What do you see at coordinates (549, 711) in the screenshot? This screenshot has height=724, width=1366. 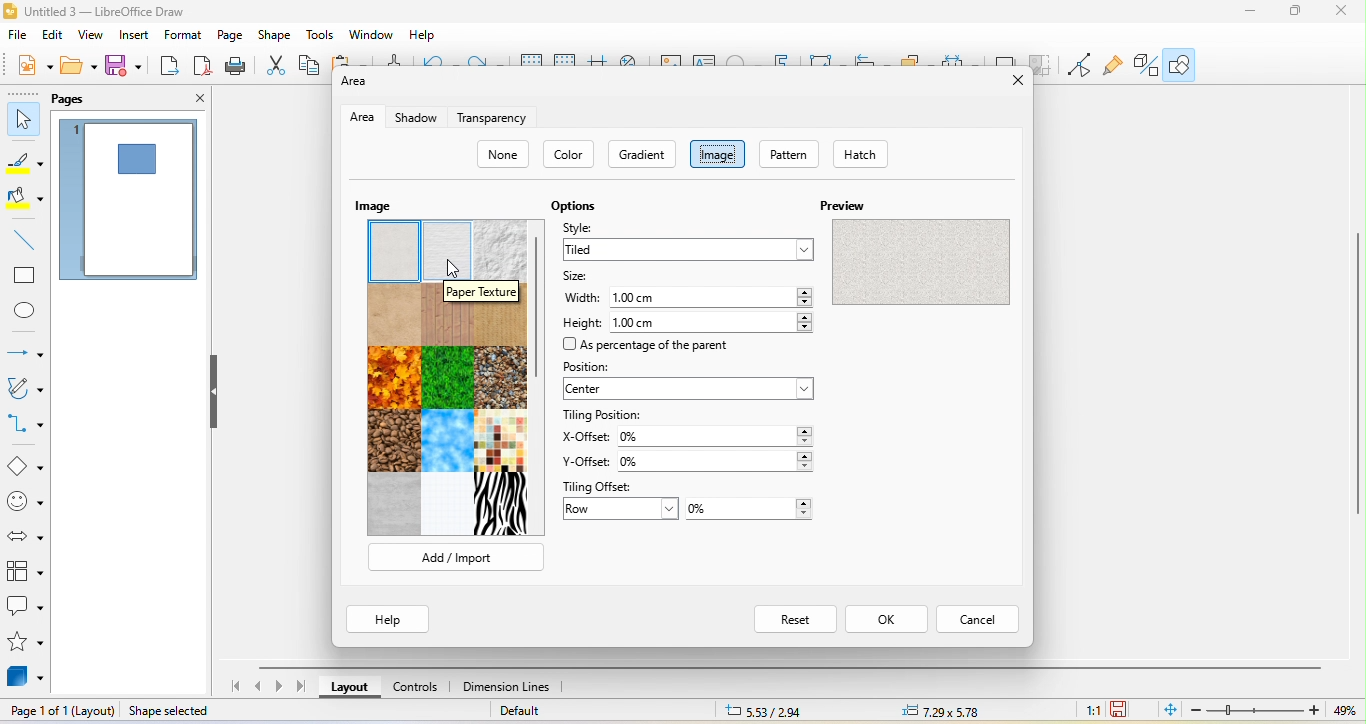 I see `default` at bounding box center [549, 711].